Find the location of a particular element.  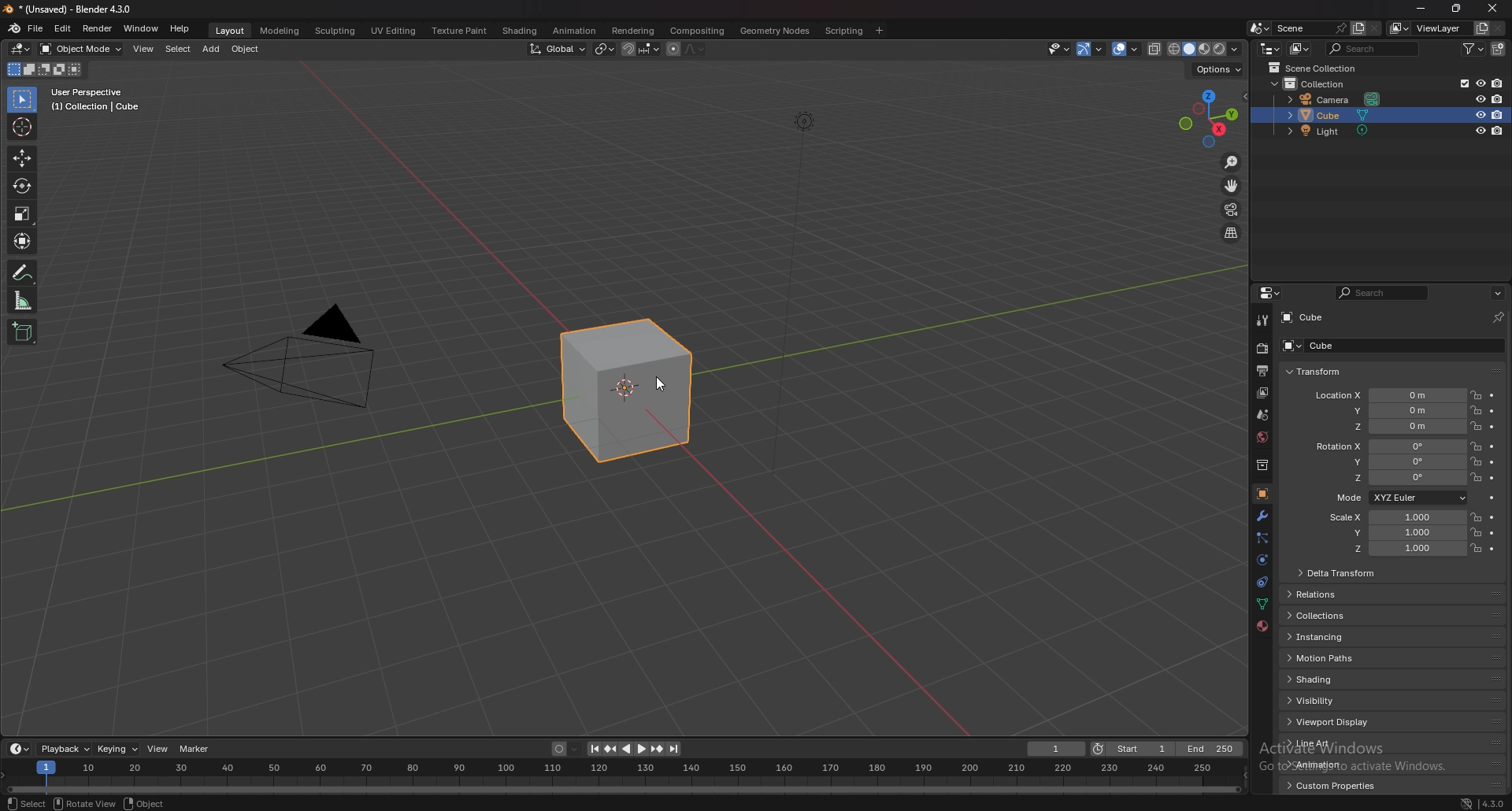

marker is located at coordinates (197, 749).